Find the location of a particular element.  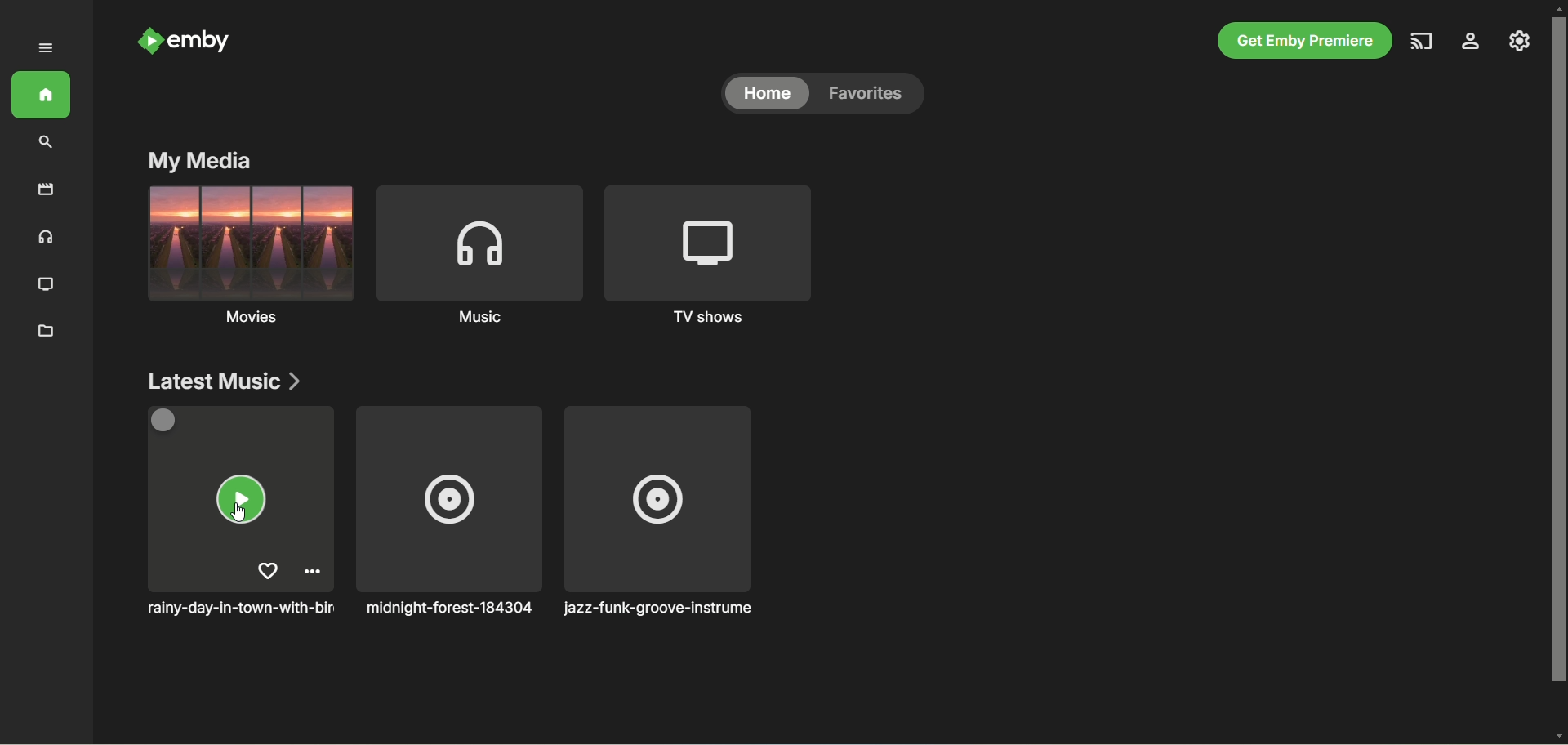

cursor is located at coordinates (243, 514).